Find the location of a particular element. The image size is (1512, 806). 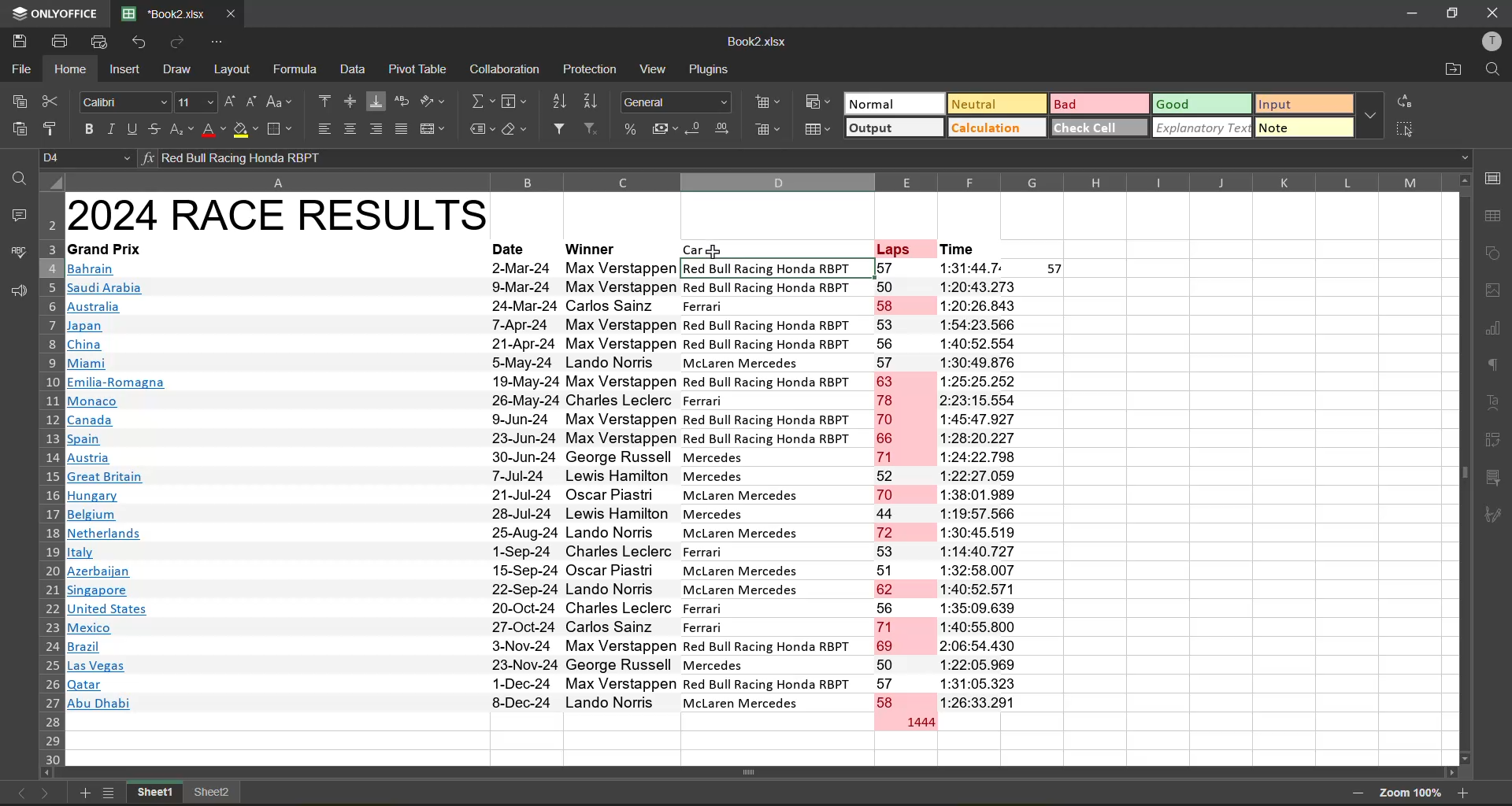

Scroll right is located at coordinates (1452, 773).